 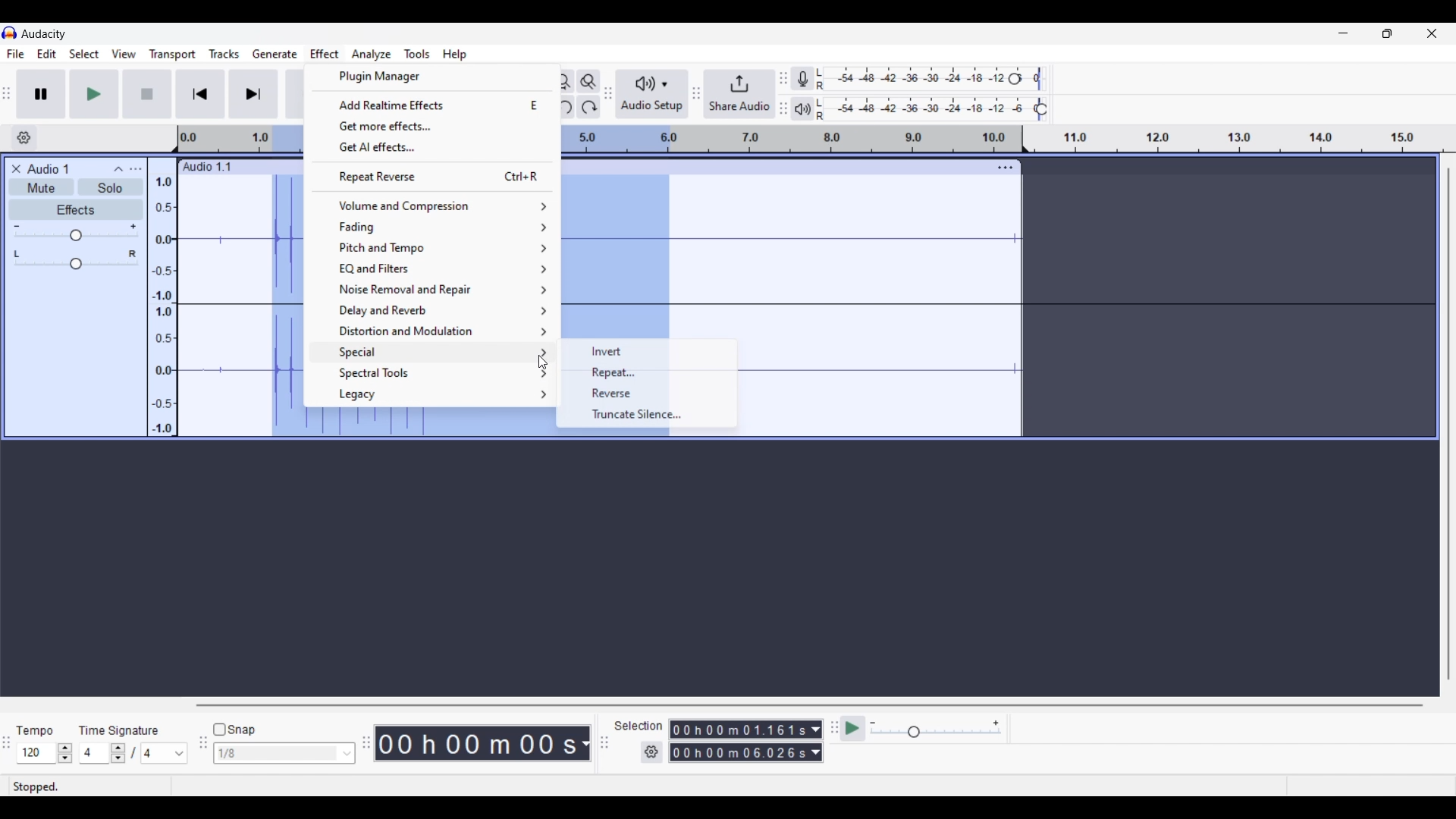 What do you see at coordinates (133, 254) in the screenshot?
I see `Pan to right` at bounding box center [133, 254].